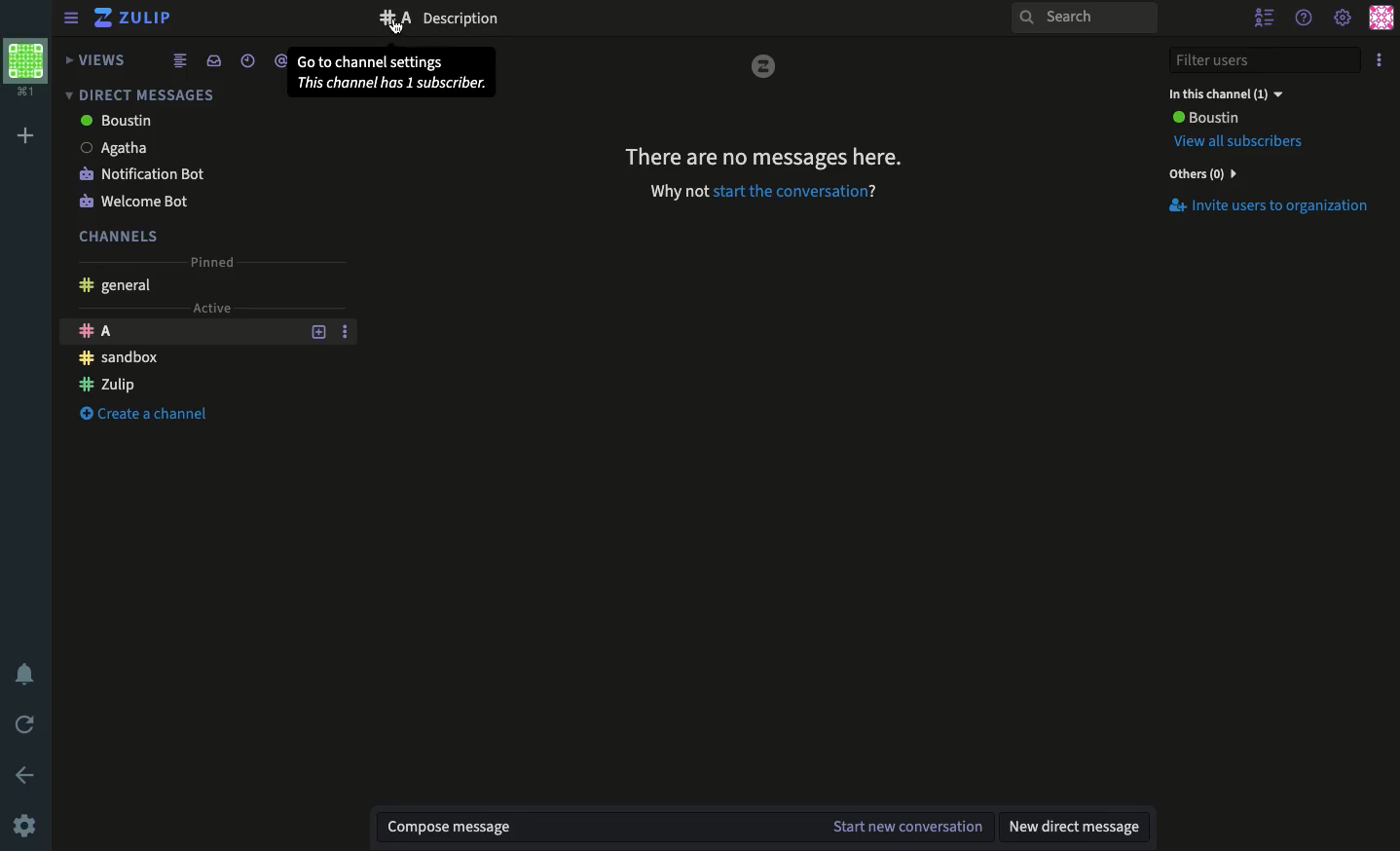 The width and height of the screenshot is (1400, 851). Describe the element at coordinates (394, 18) in the screenshot. I see `#A` at that location.